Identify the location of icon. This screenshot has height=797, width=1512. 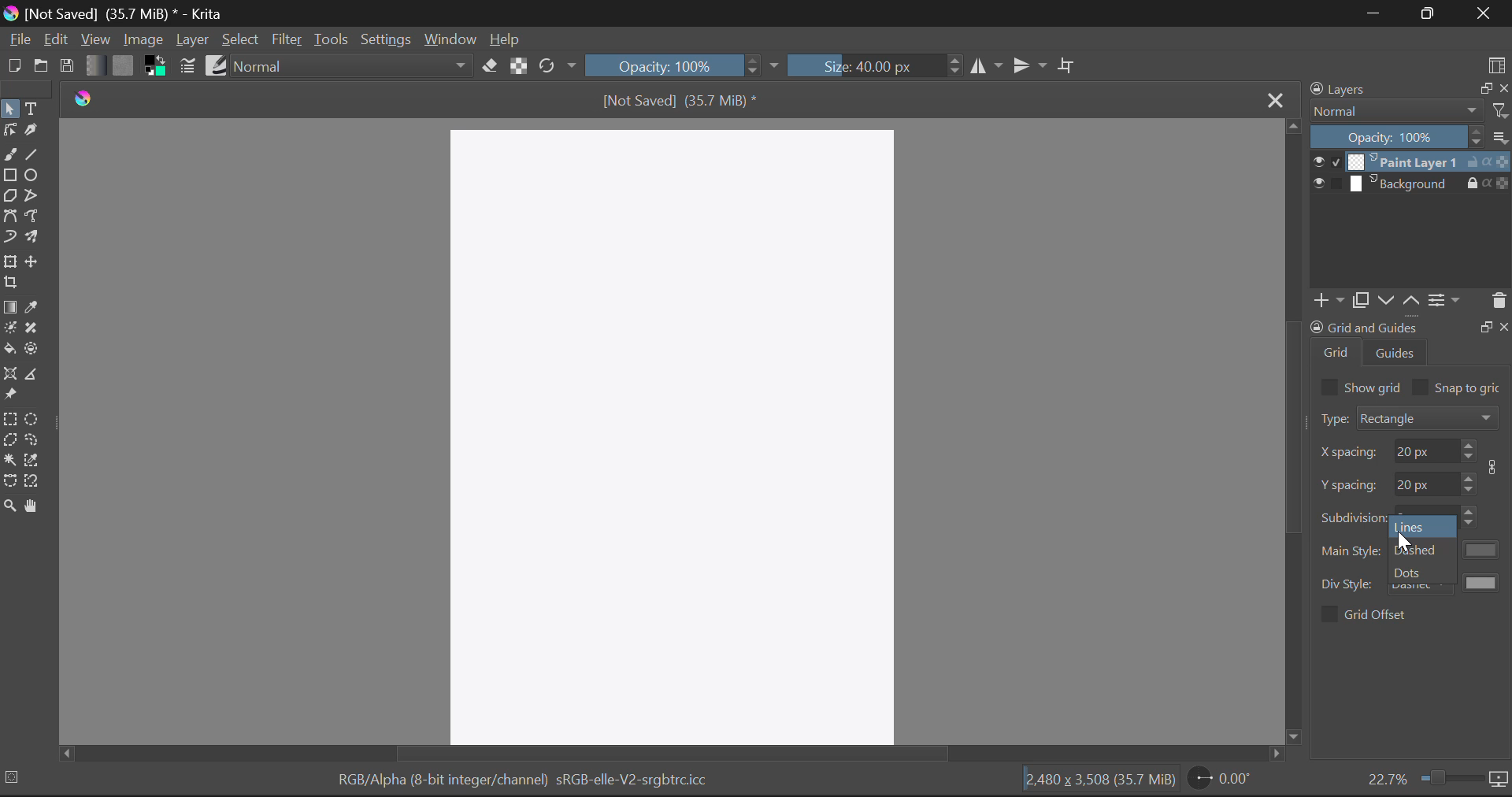
(1496, 467).